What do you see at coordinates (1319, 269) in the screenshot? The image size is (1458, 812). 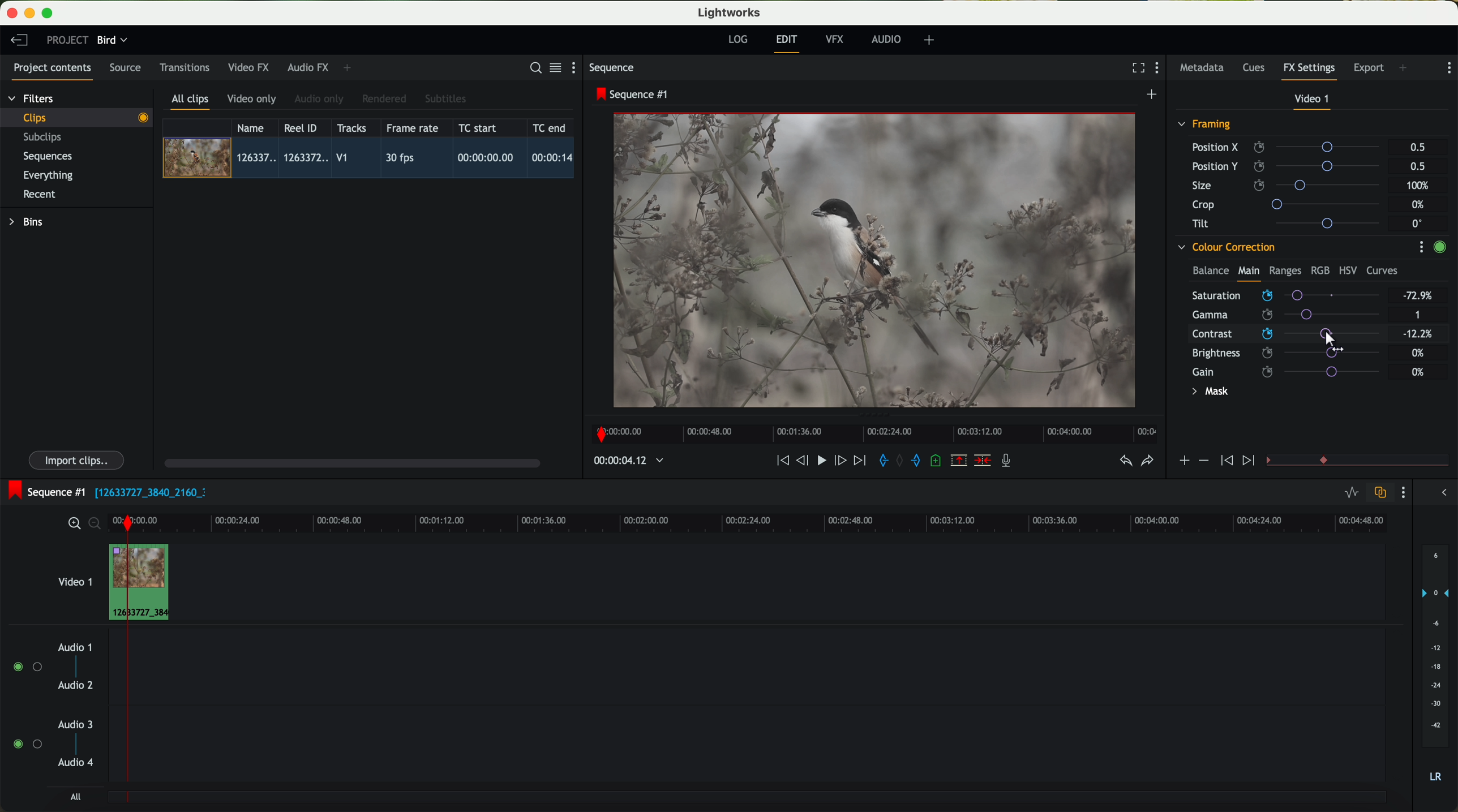 I see `RGB` at bounding box center [1319, 269].